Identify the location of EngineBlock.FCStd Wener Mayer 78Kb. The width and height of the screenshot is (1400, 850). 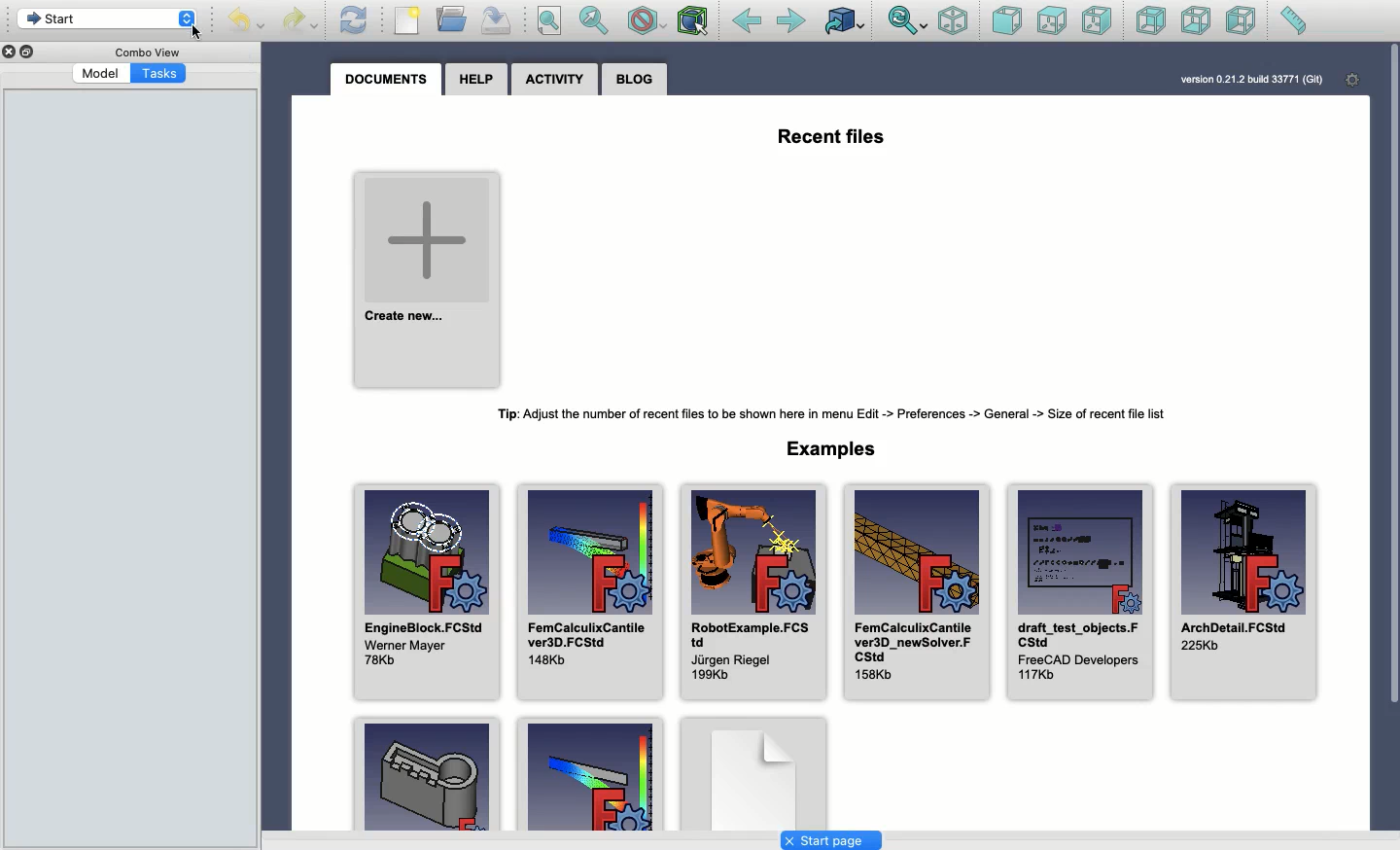
(425, 592).